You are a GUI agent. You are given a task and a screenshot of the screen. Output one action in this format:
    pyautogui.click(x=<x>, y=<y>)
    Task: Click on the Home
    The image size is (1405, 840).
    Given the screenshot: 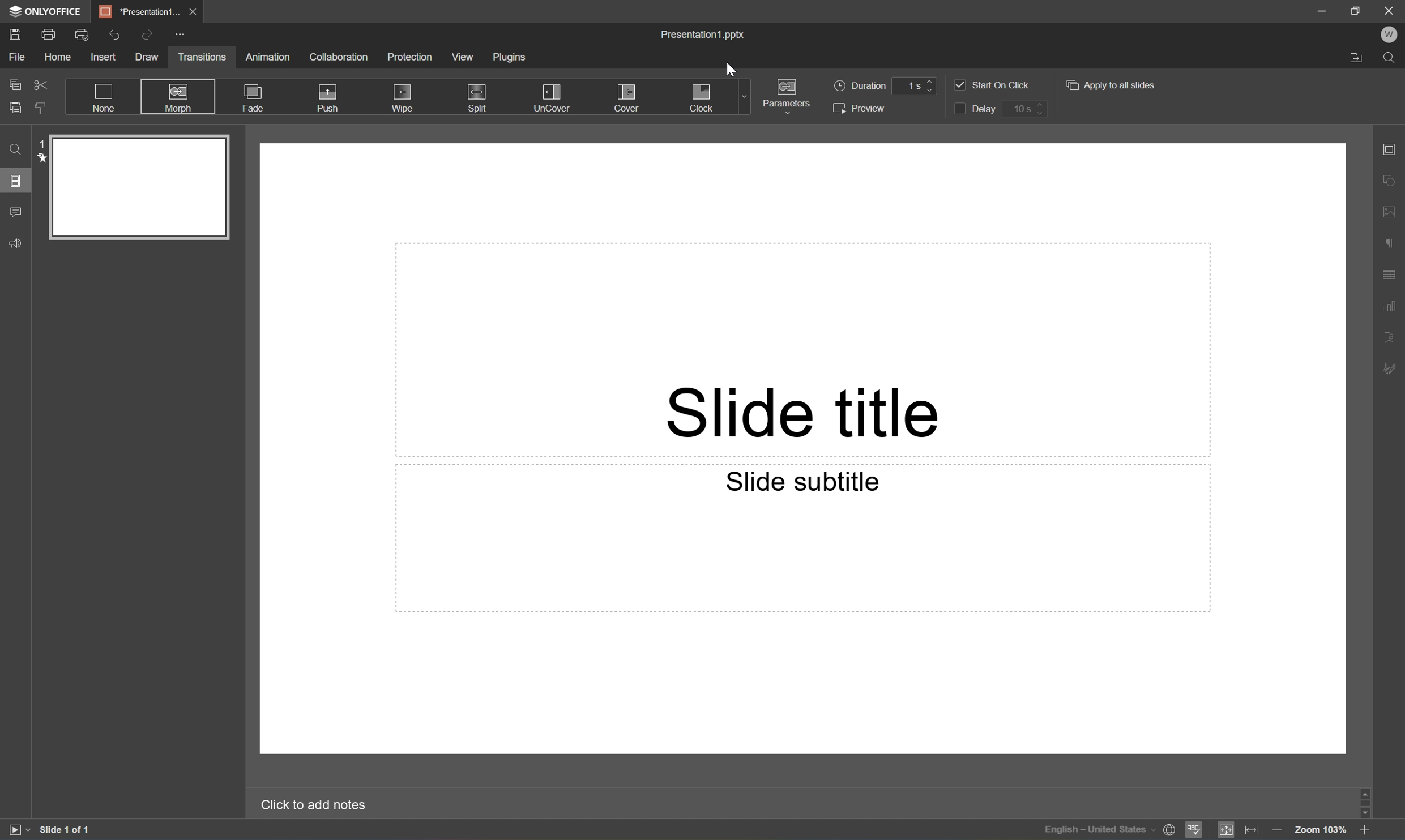 What is the action you would take?
    pyautogui.click(x=60, y=58)
    